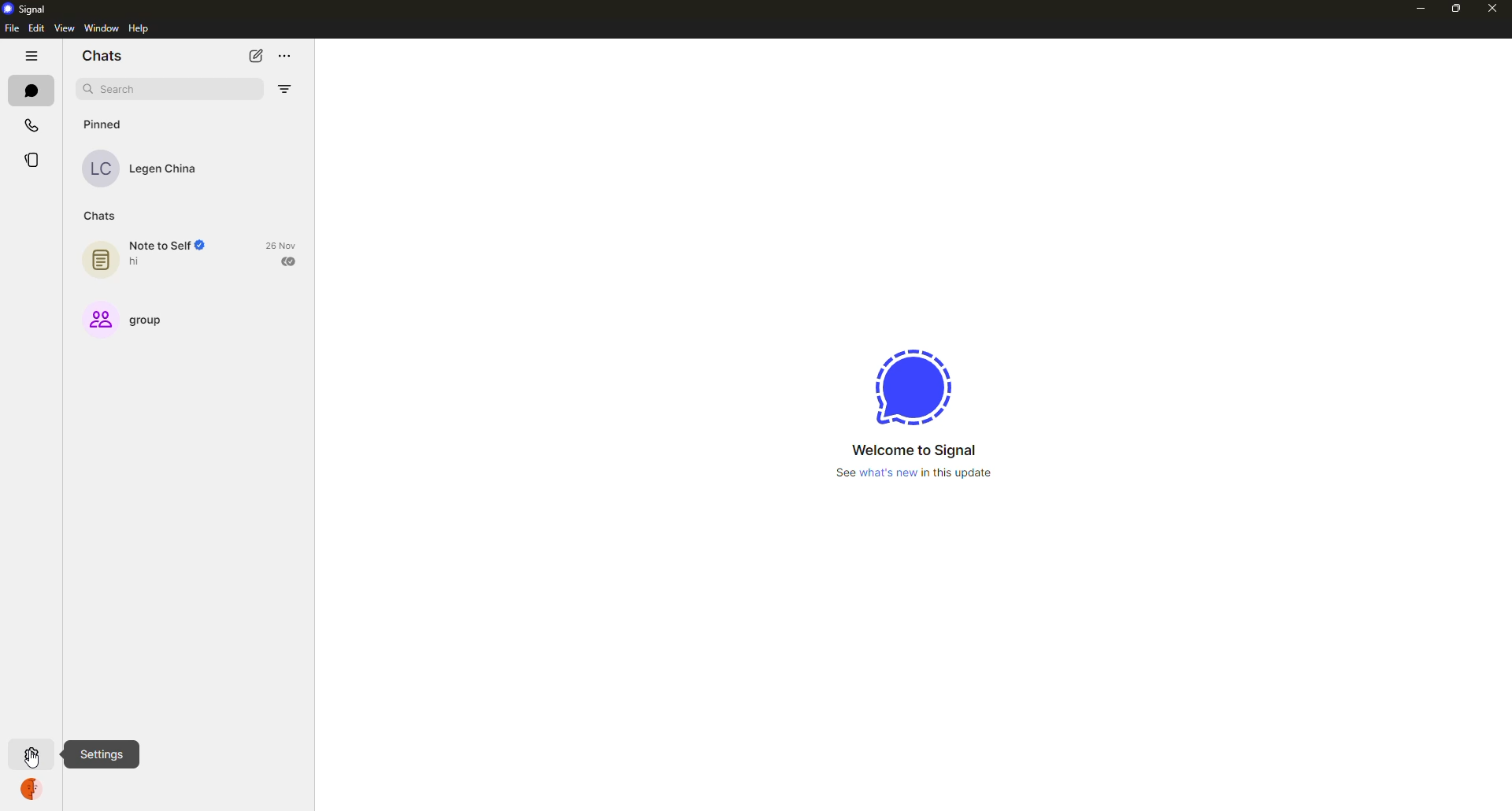 This screenshot has width=1512, height=811. Describe the element at coordinates (27, 8) in the screenshot. I see `signal` at that location.